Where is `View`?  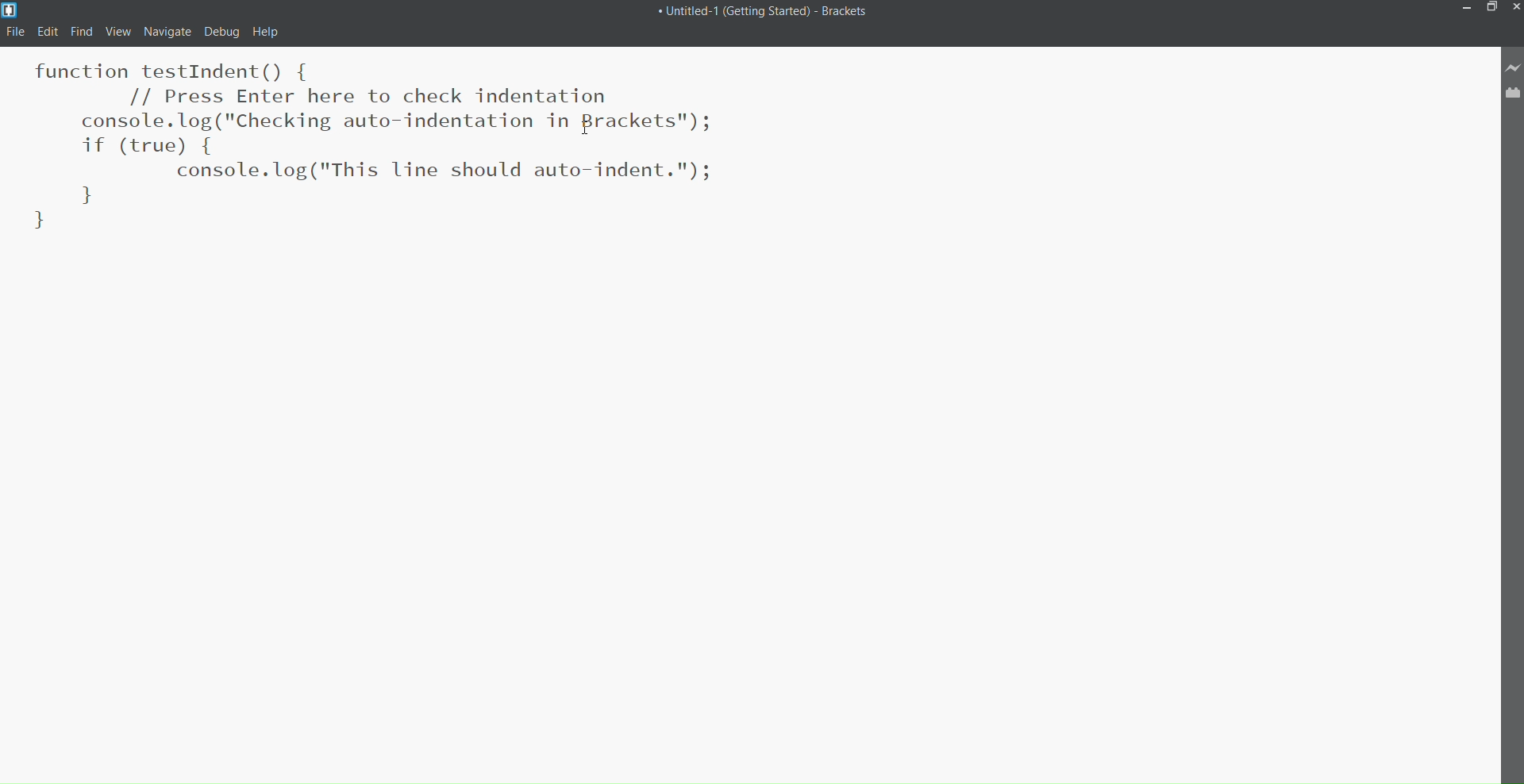 View is located at coordinates (115, 31).